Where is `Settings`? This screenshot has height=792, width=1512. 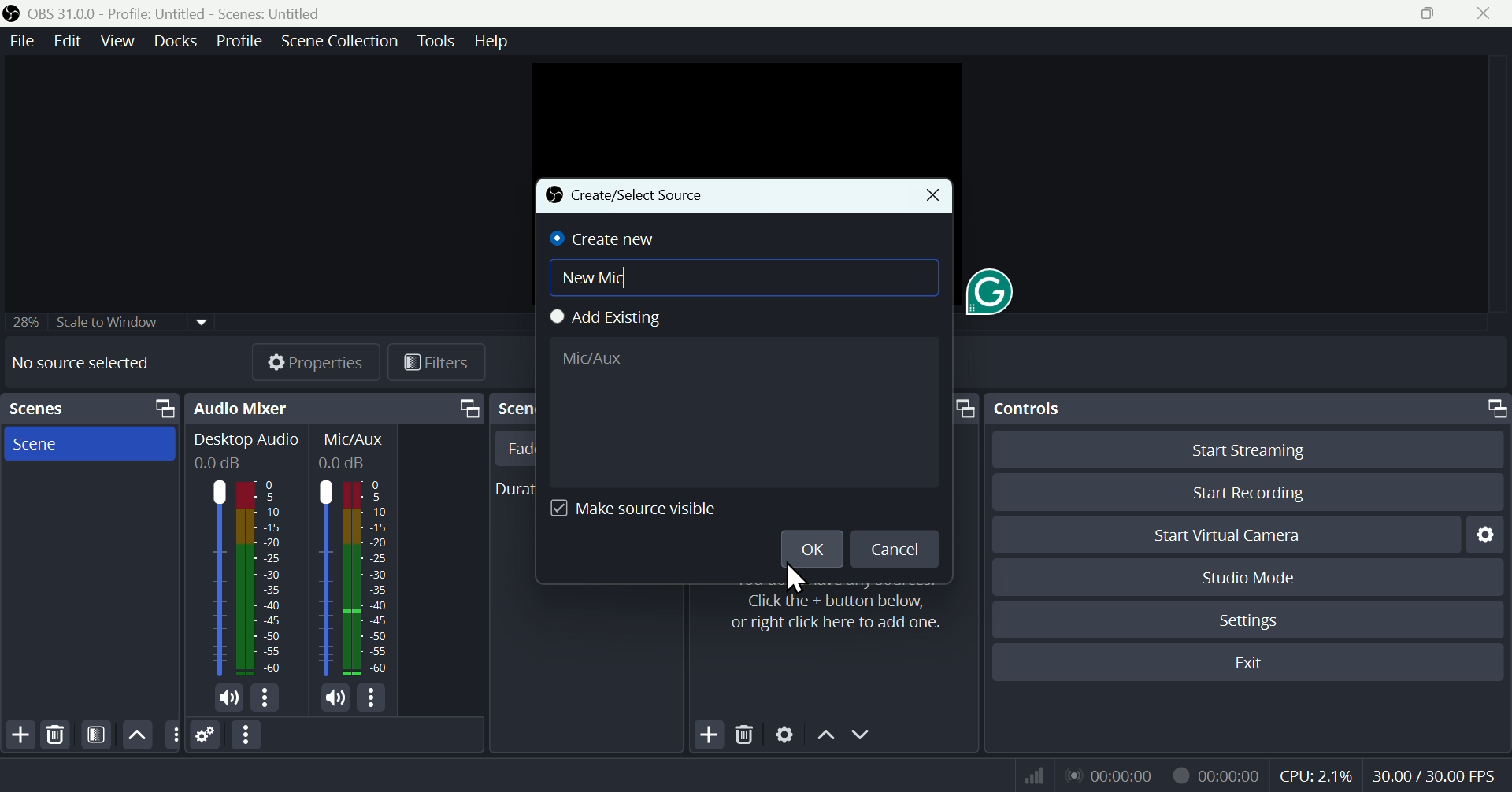 Settings is located at coordinates (785, 737).